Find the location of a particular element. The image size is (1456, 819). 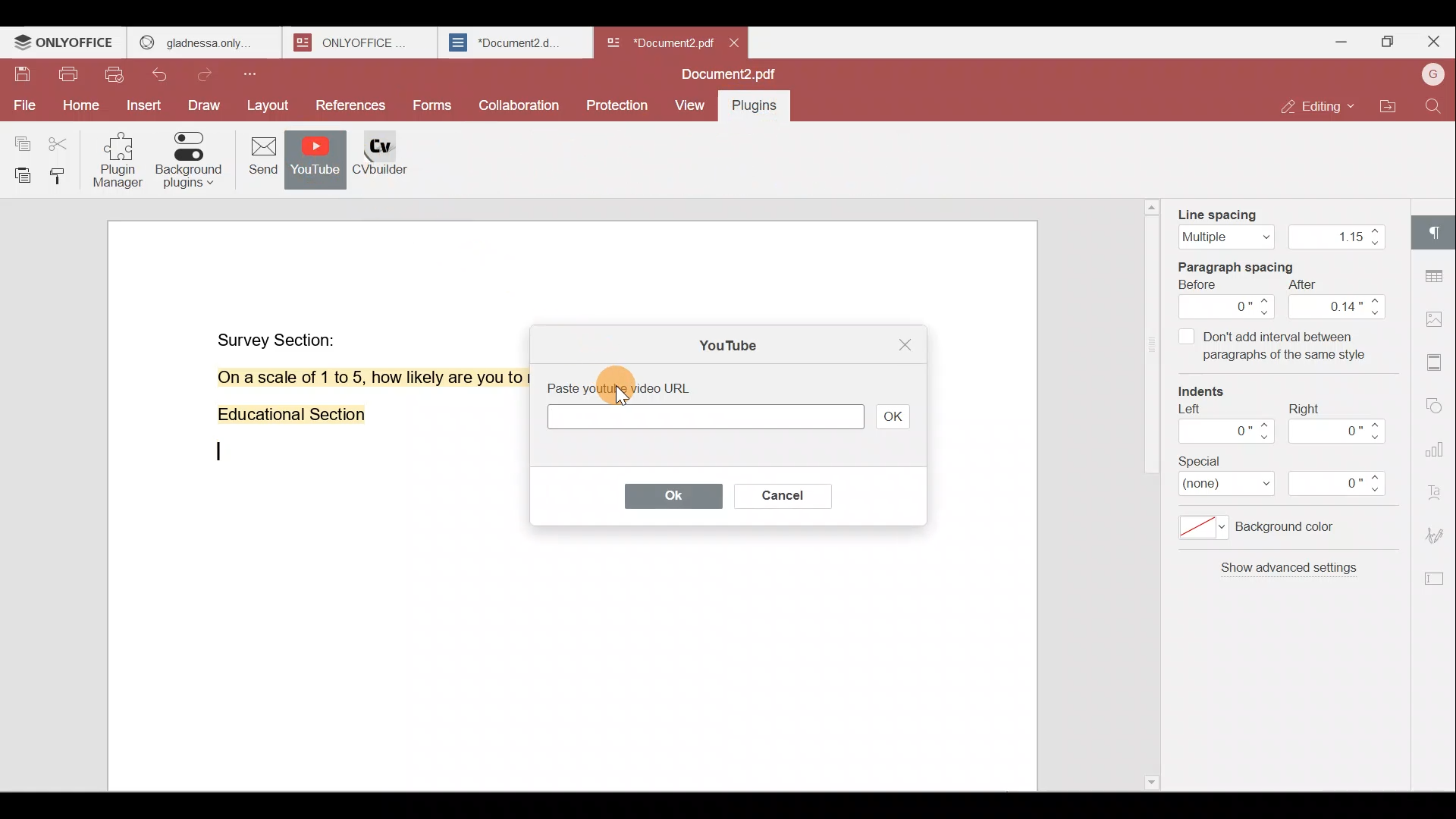

ONLYOFFICE is located at coordinates (362, 42).